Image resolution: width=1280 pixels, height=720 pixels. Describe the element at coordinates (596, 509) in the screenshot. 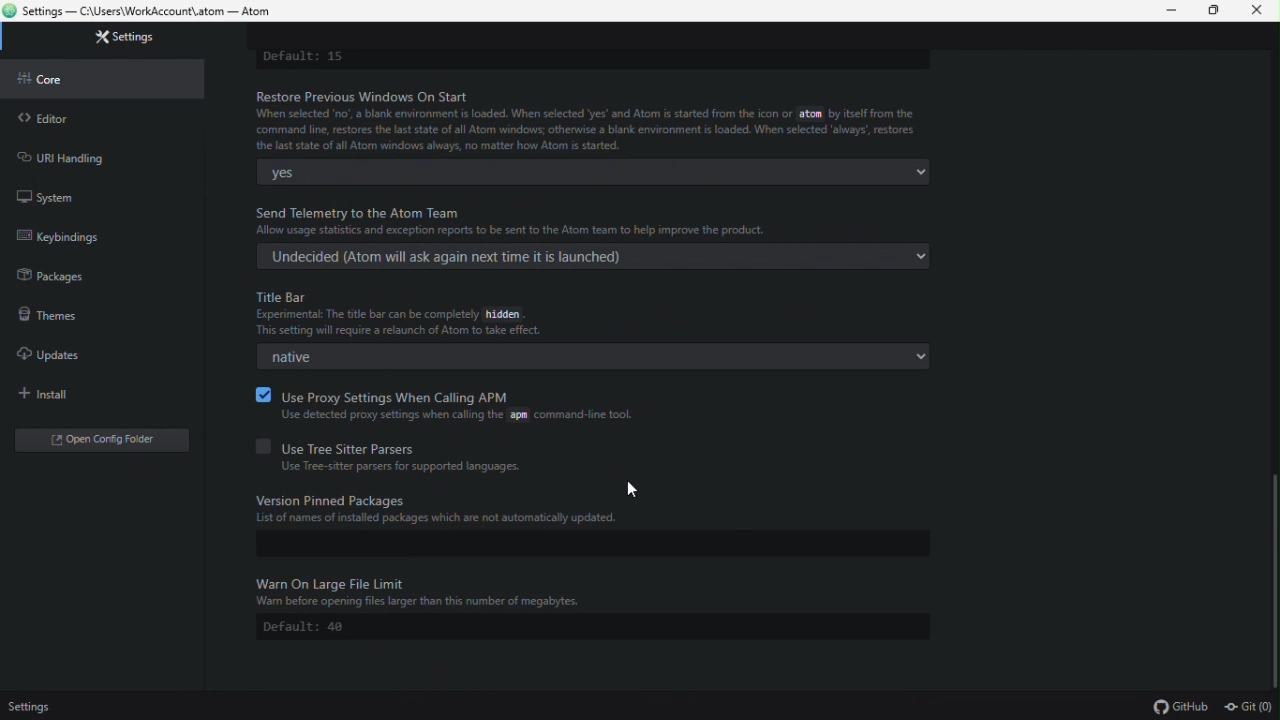

I see `version pinned packages ` at that location.